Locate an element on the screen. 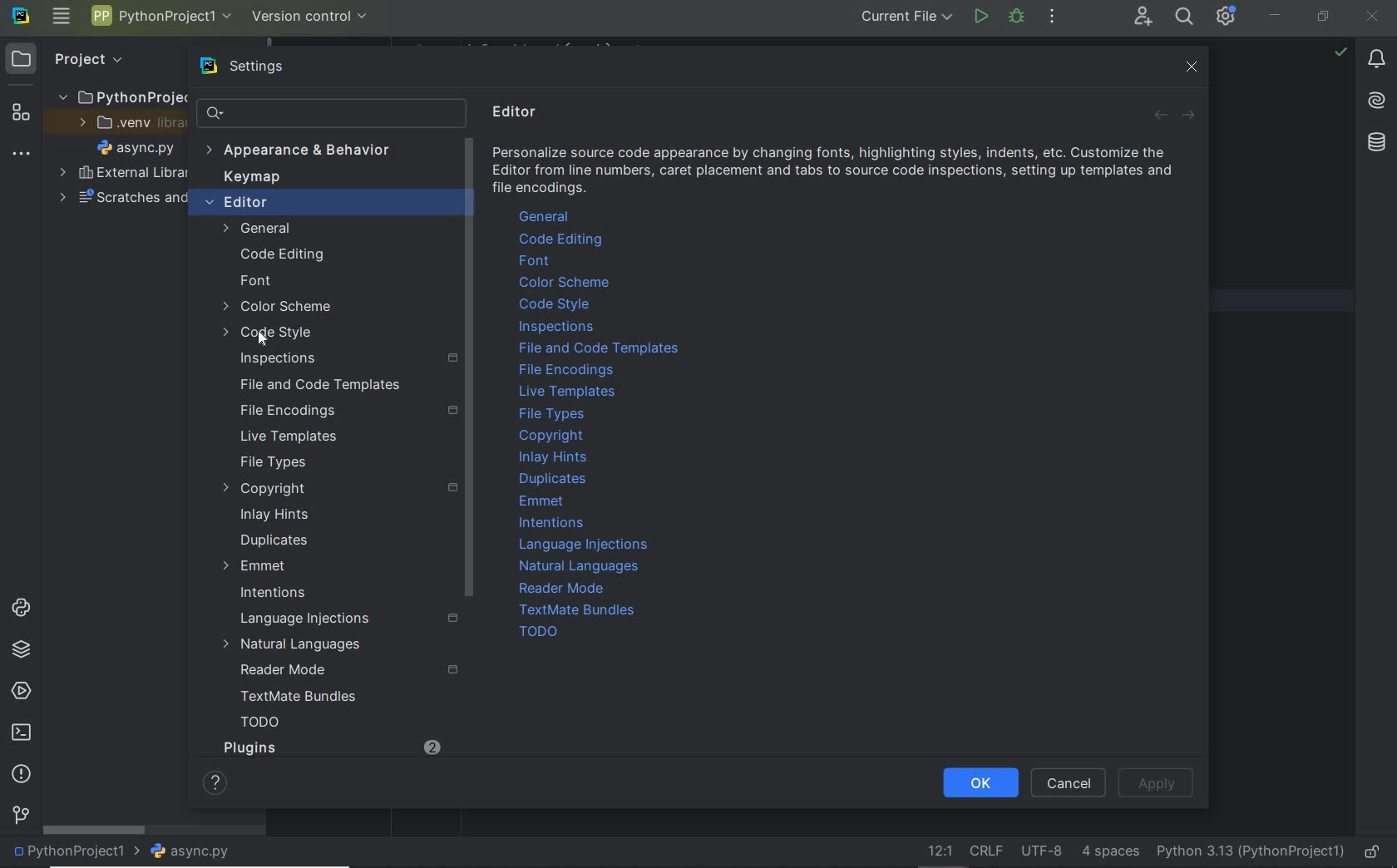 The image size is (1397, 868). inspections is located at coordinates (343, 358).